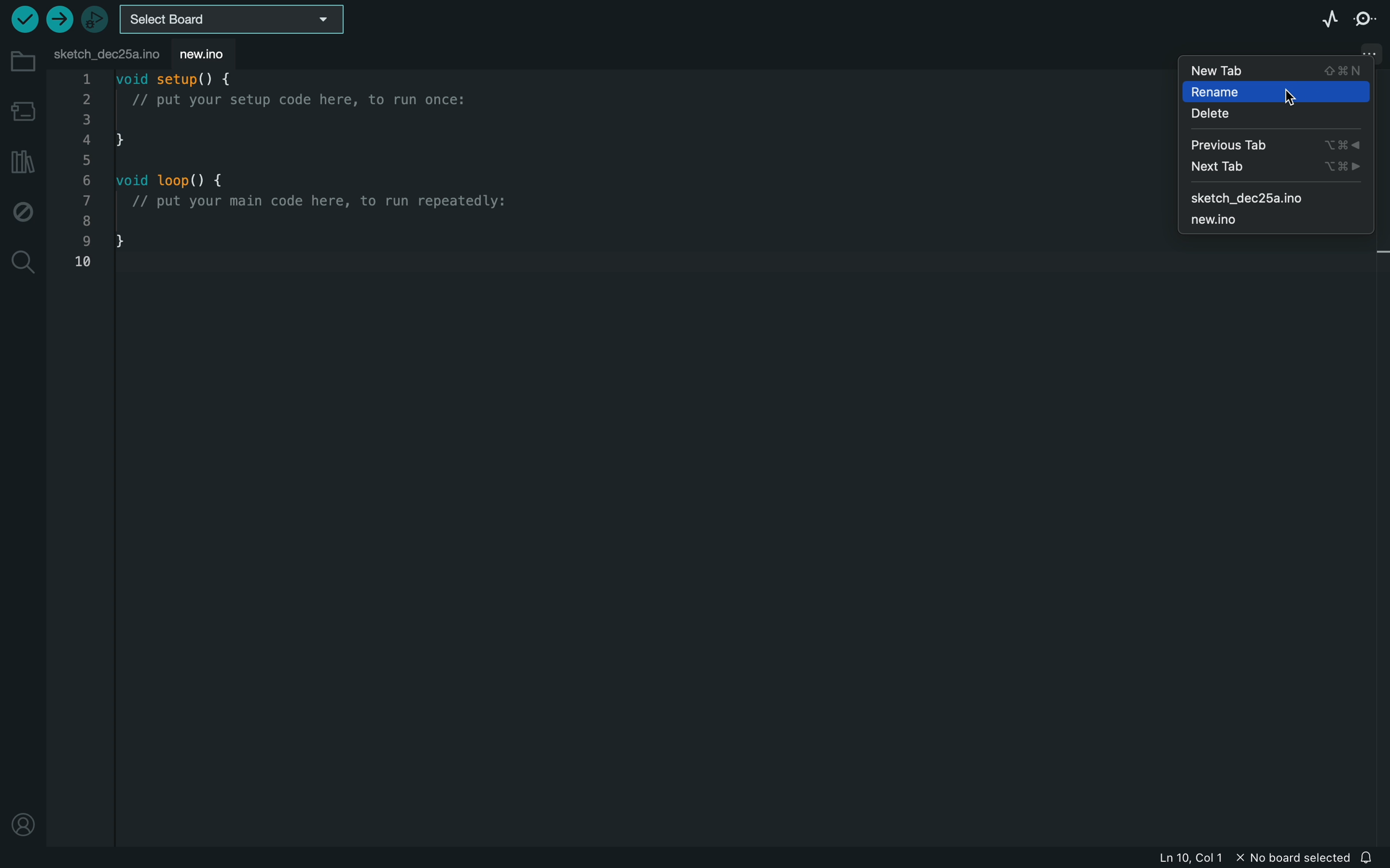 This screenshot has width=1390, height=868. I want to click on next tab, so click(1274, 168).